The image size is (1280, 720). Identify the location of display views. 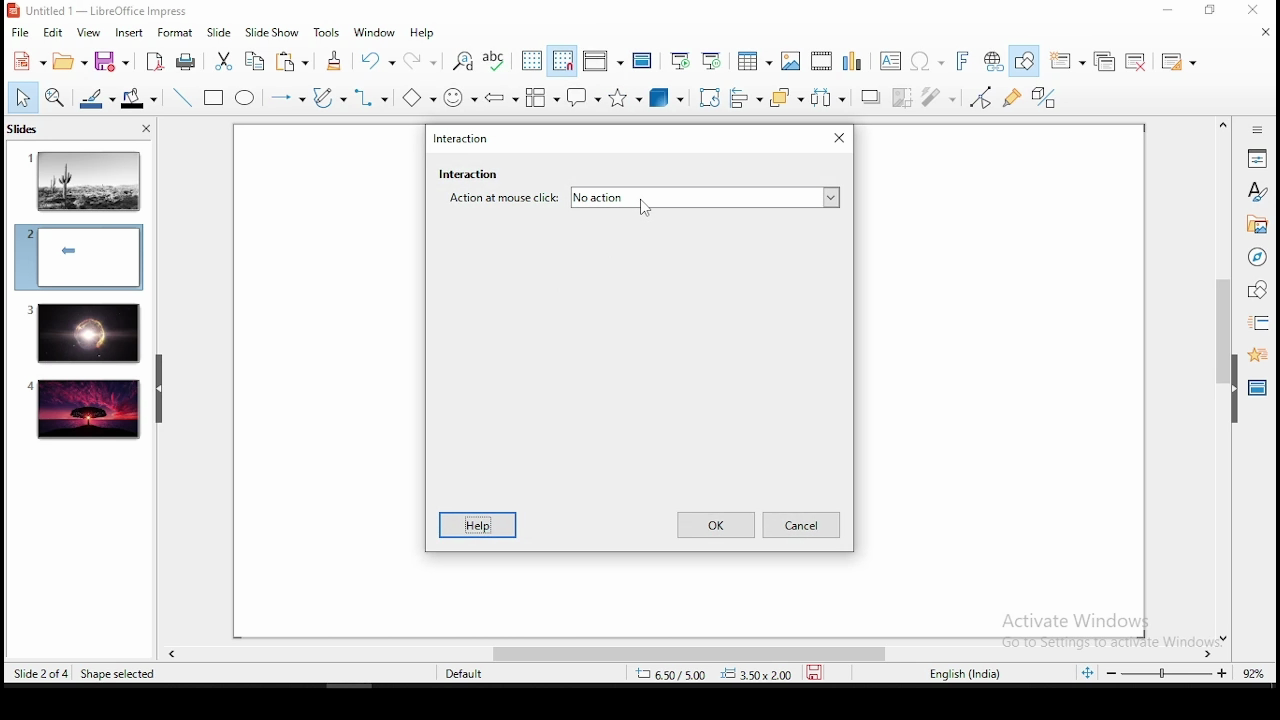
(603, 61).